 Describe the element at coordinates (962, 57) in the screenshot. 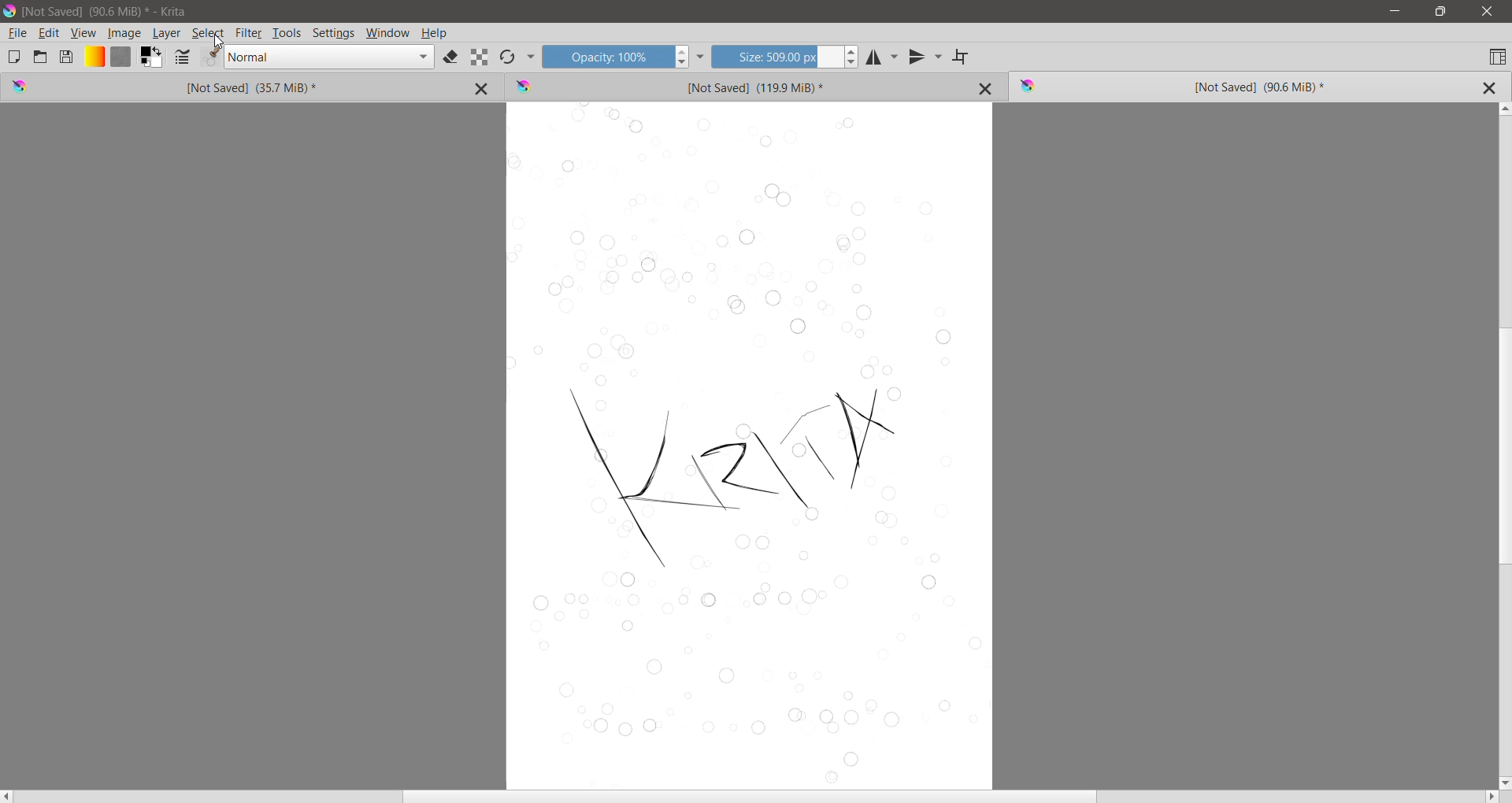

I see `Wrap Around Mode` at that location.